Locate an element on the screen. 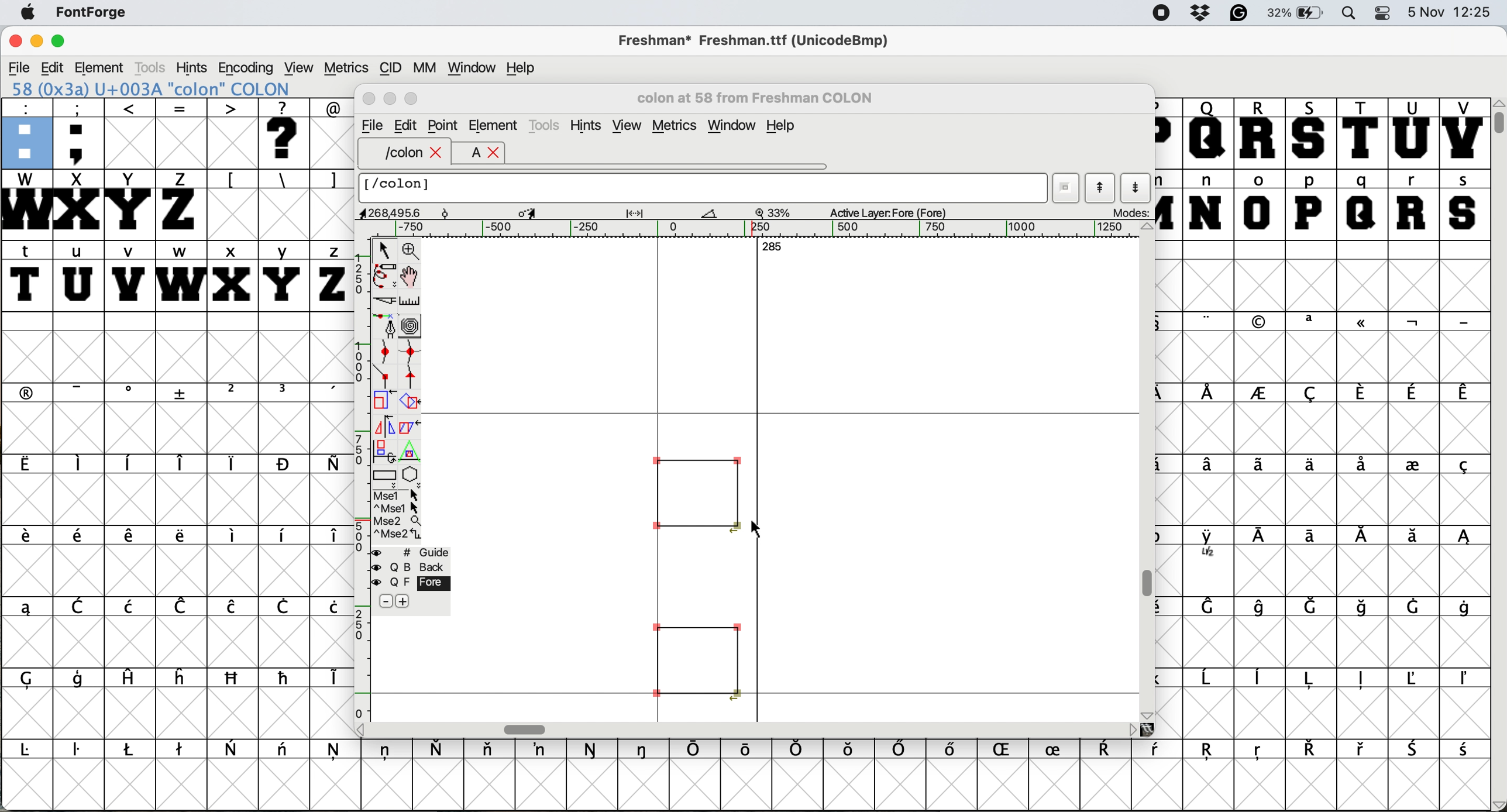  symbol is located at coordinates (1363, 538).